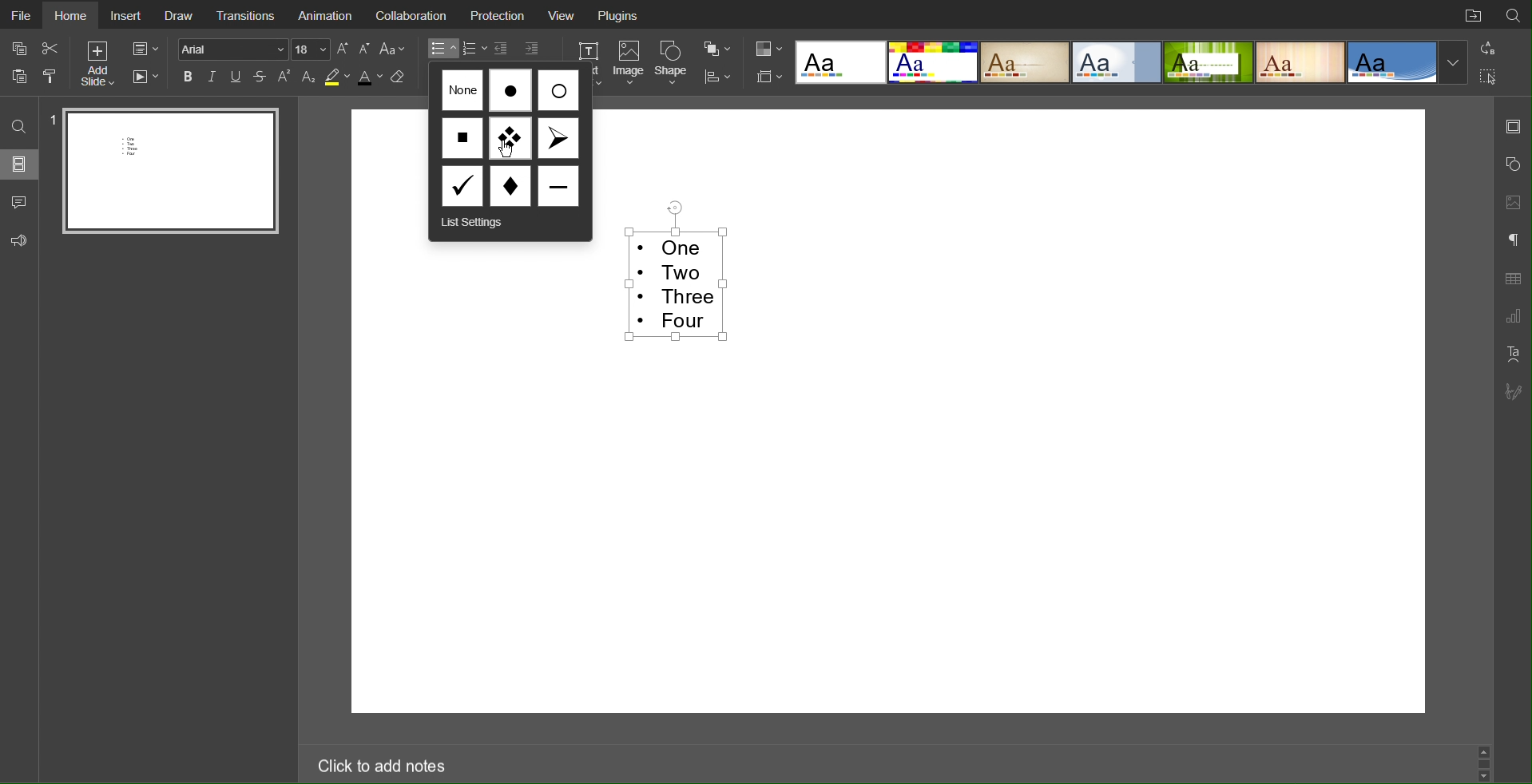  What do you see at coordinates (168, 173) in the screenshot?
I see `Slide 1` at bounding box center [168, 173].